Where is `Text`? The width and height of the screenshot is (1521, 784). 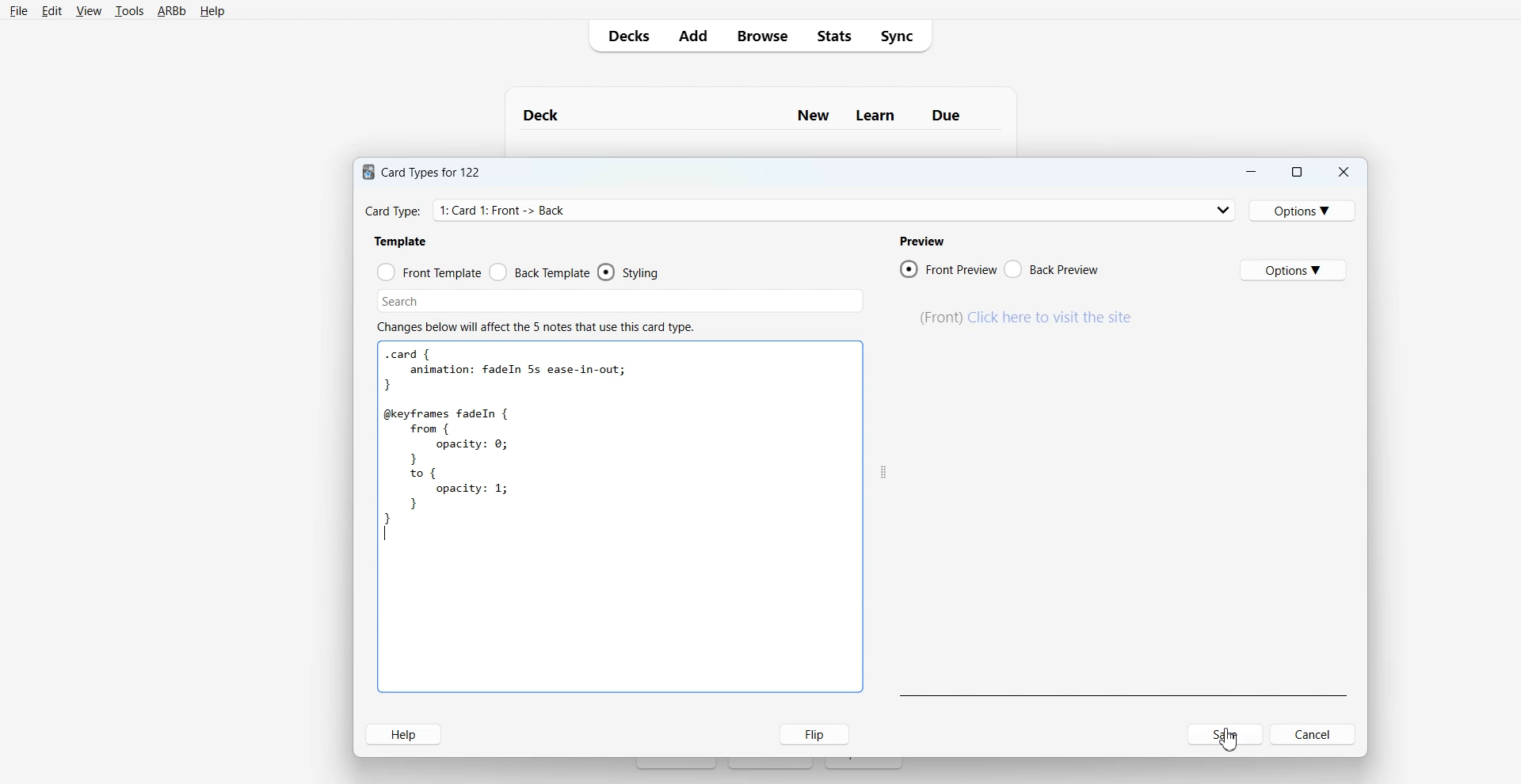
Text is located at coordinates (533, 443).